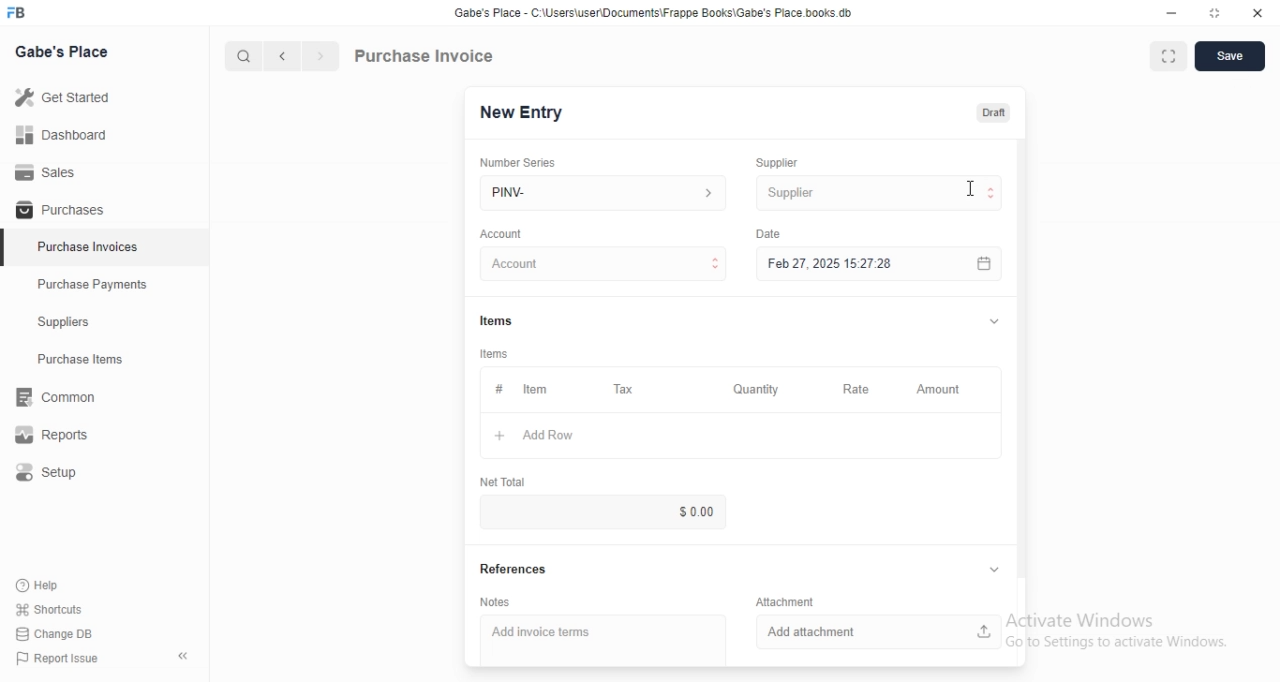  I want to click on Add Row, so click(741, 435).